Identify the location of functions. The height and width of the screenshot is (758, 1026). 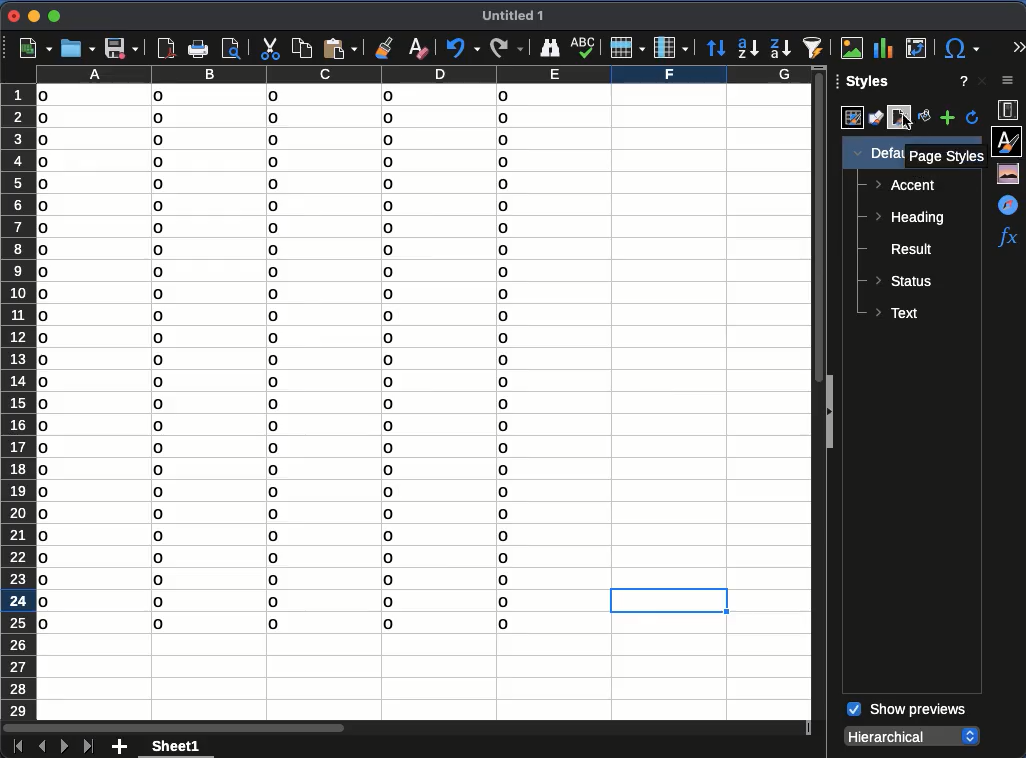
(1007, 239).